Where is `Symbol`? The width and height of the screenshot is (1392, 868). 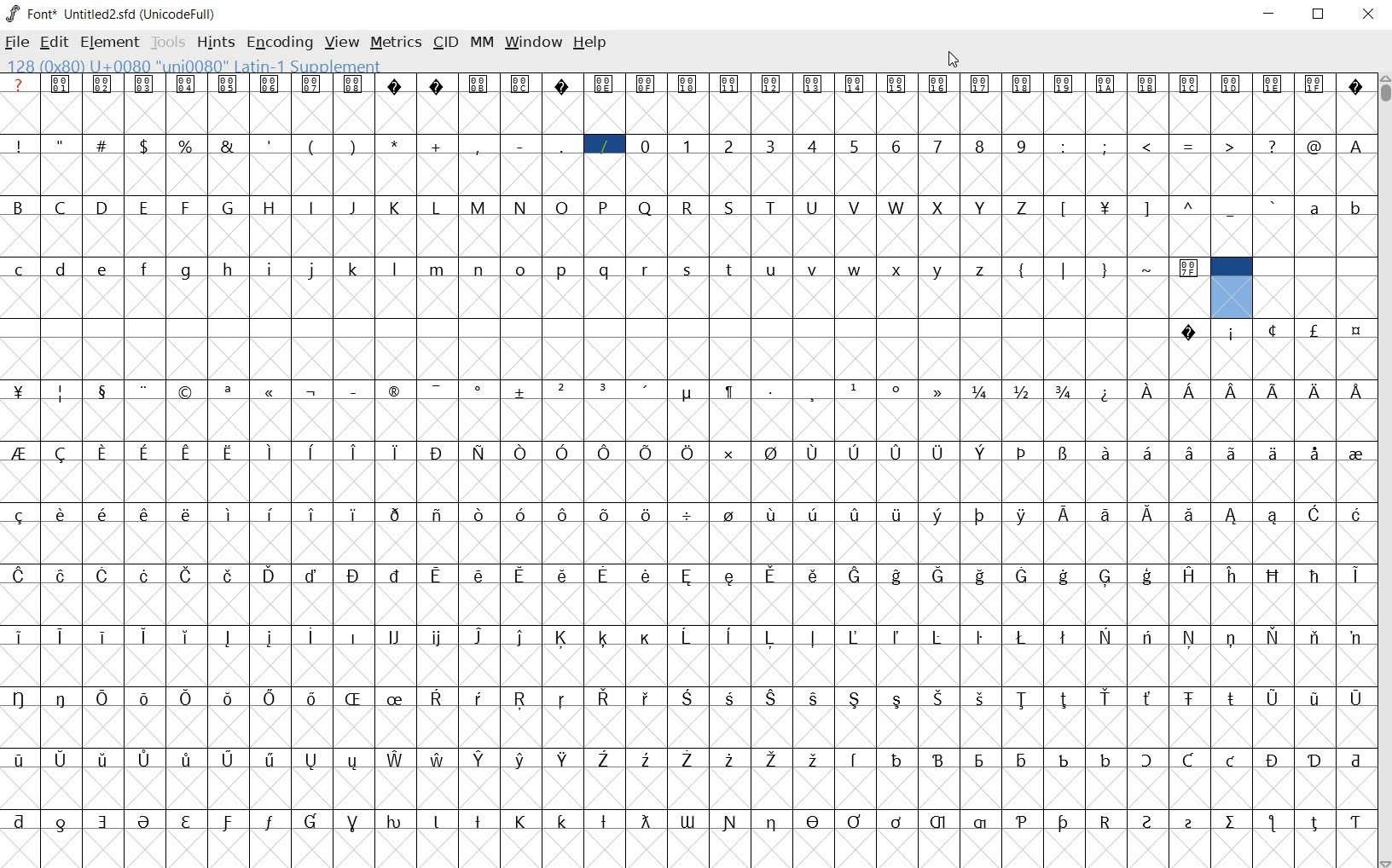
Symbol is located at coordinates (730, 454).